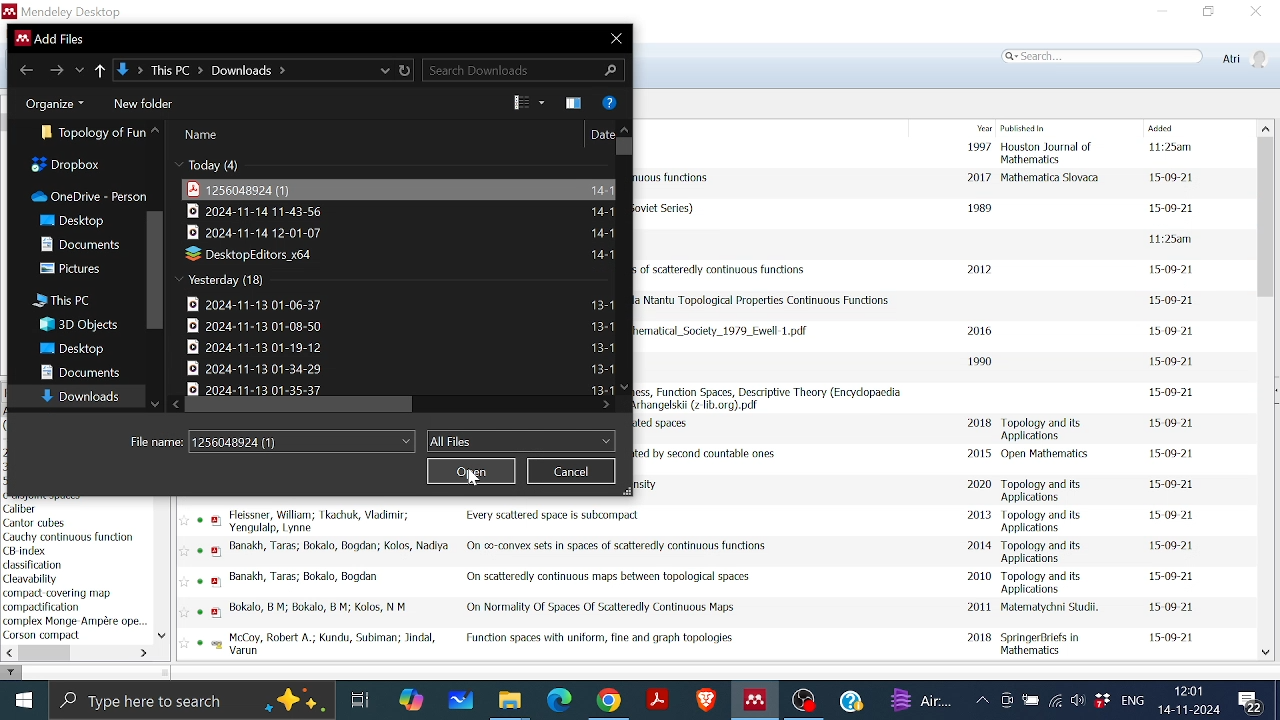 The image size is (1280, 720). Describe the element at coordinates (101, 69) in the screenshot. I see `Up to previous folder` at that location.